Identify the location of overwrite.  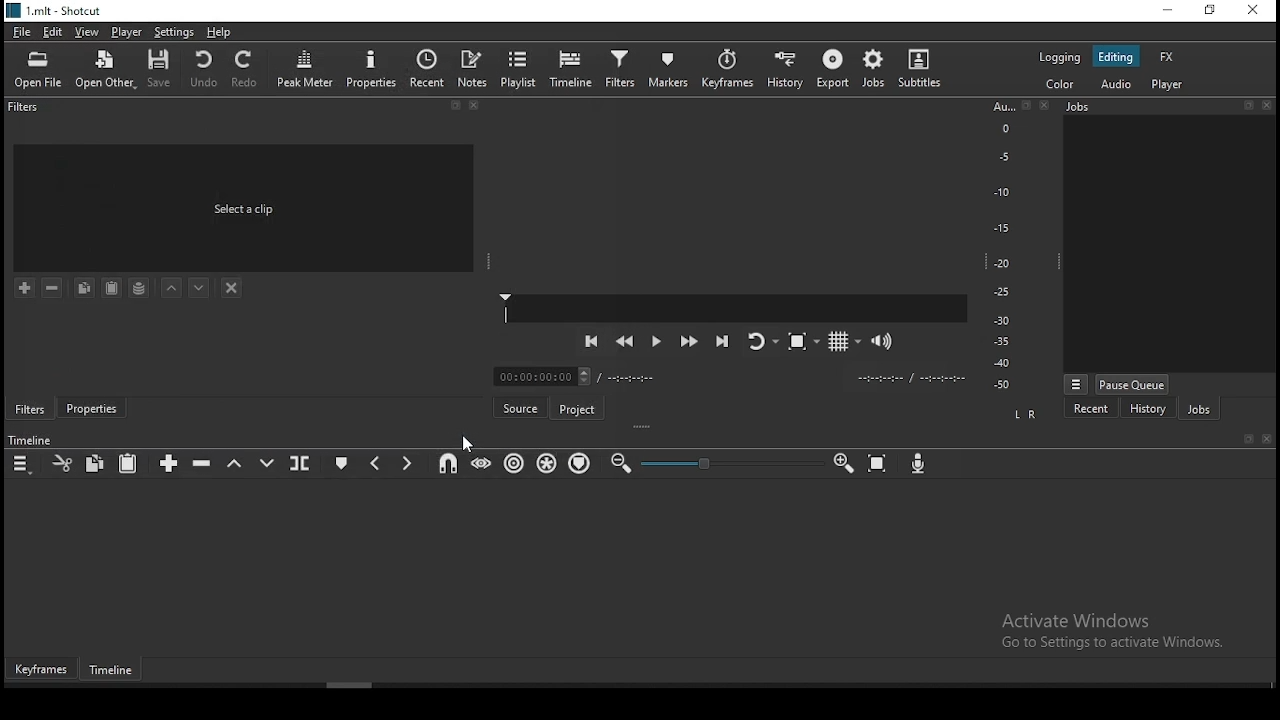
(265, 461).